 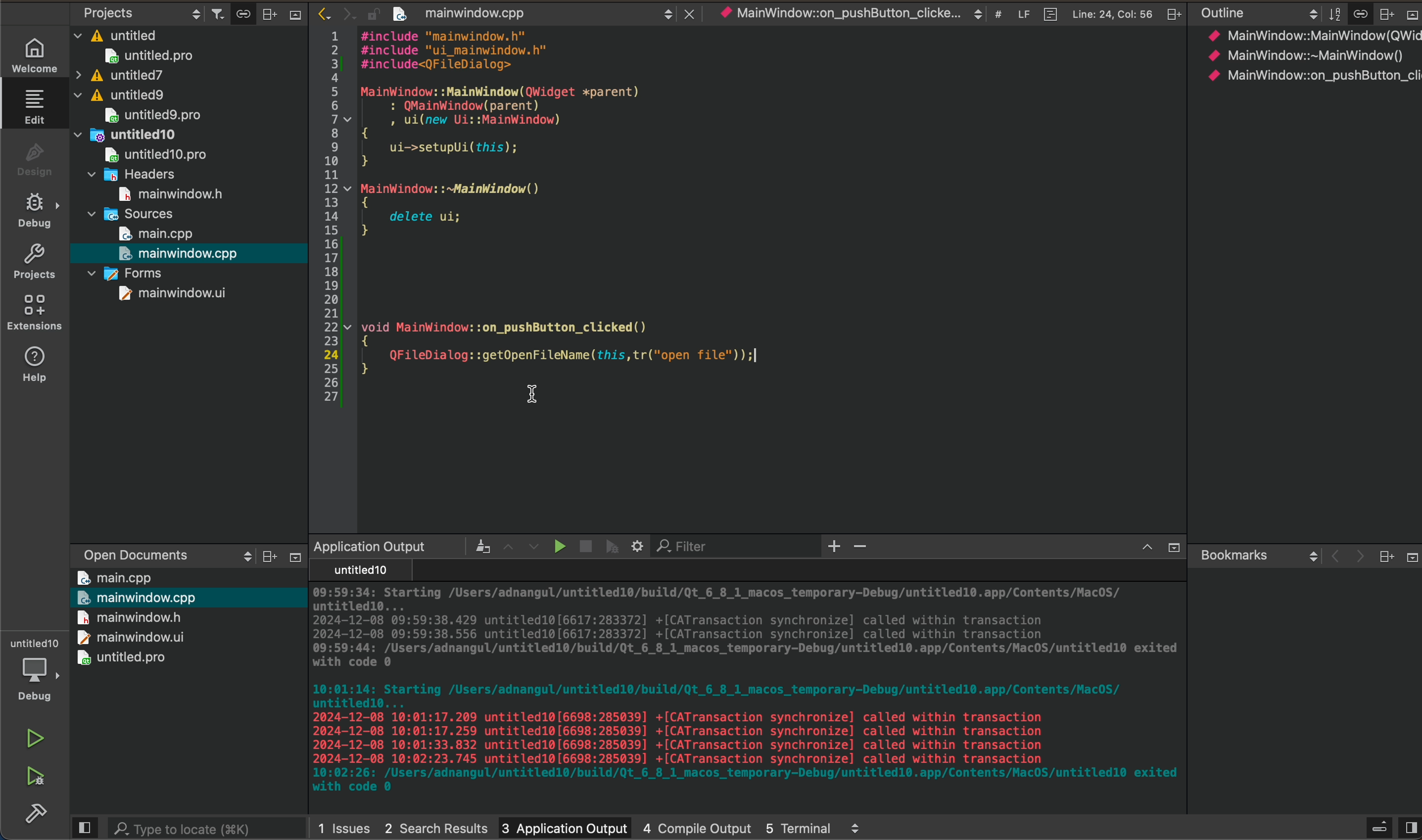 What do you see at coordinates (268, 12) in the screenshot?
I see `` at bounding box center [268, 12].